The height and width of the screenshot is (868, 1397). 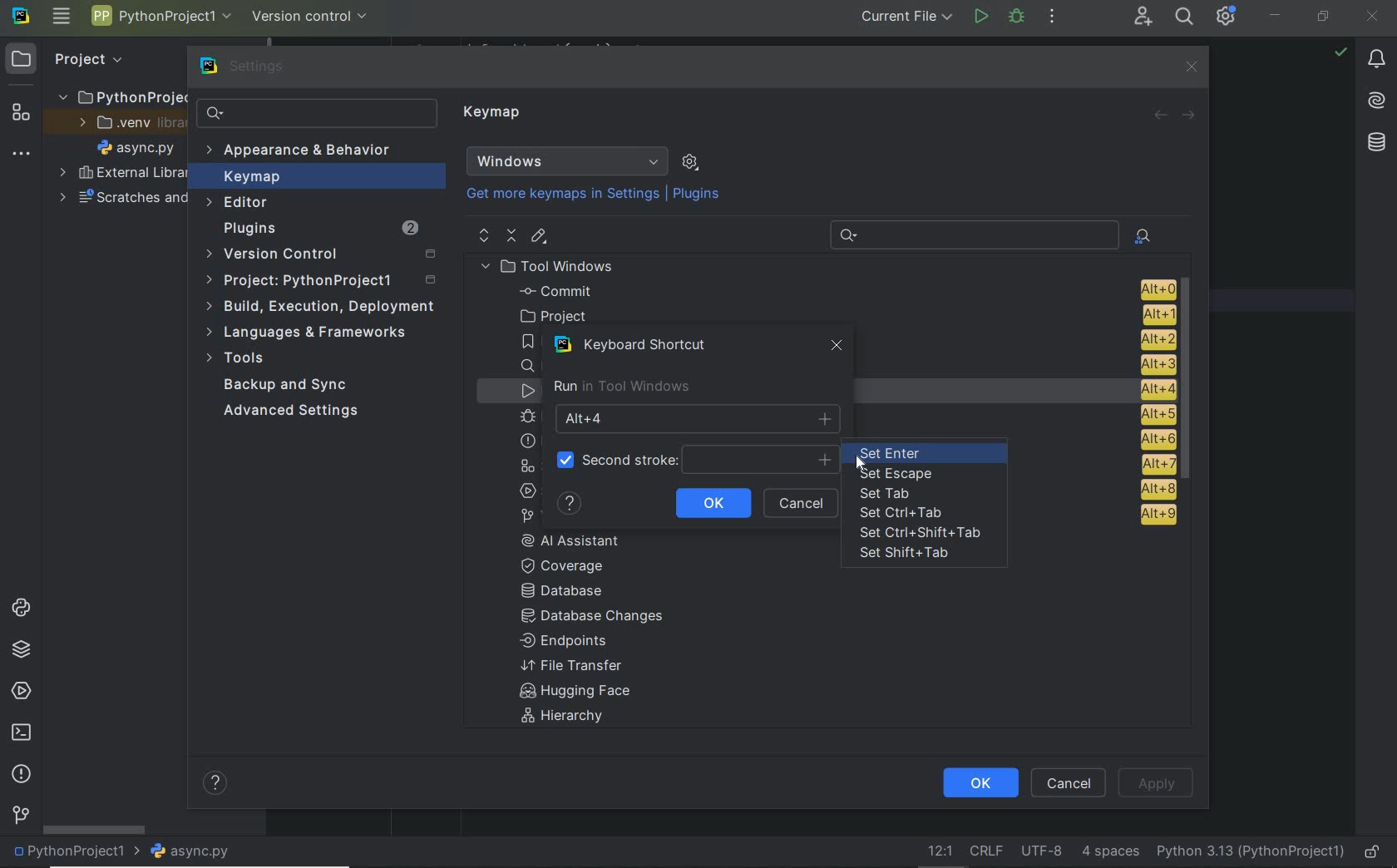 What do you see at coordinates (1110, 853) in the screenshot?
I see `Indent` at bounding box center [1110, 853].